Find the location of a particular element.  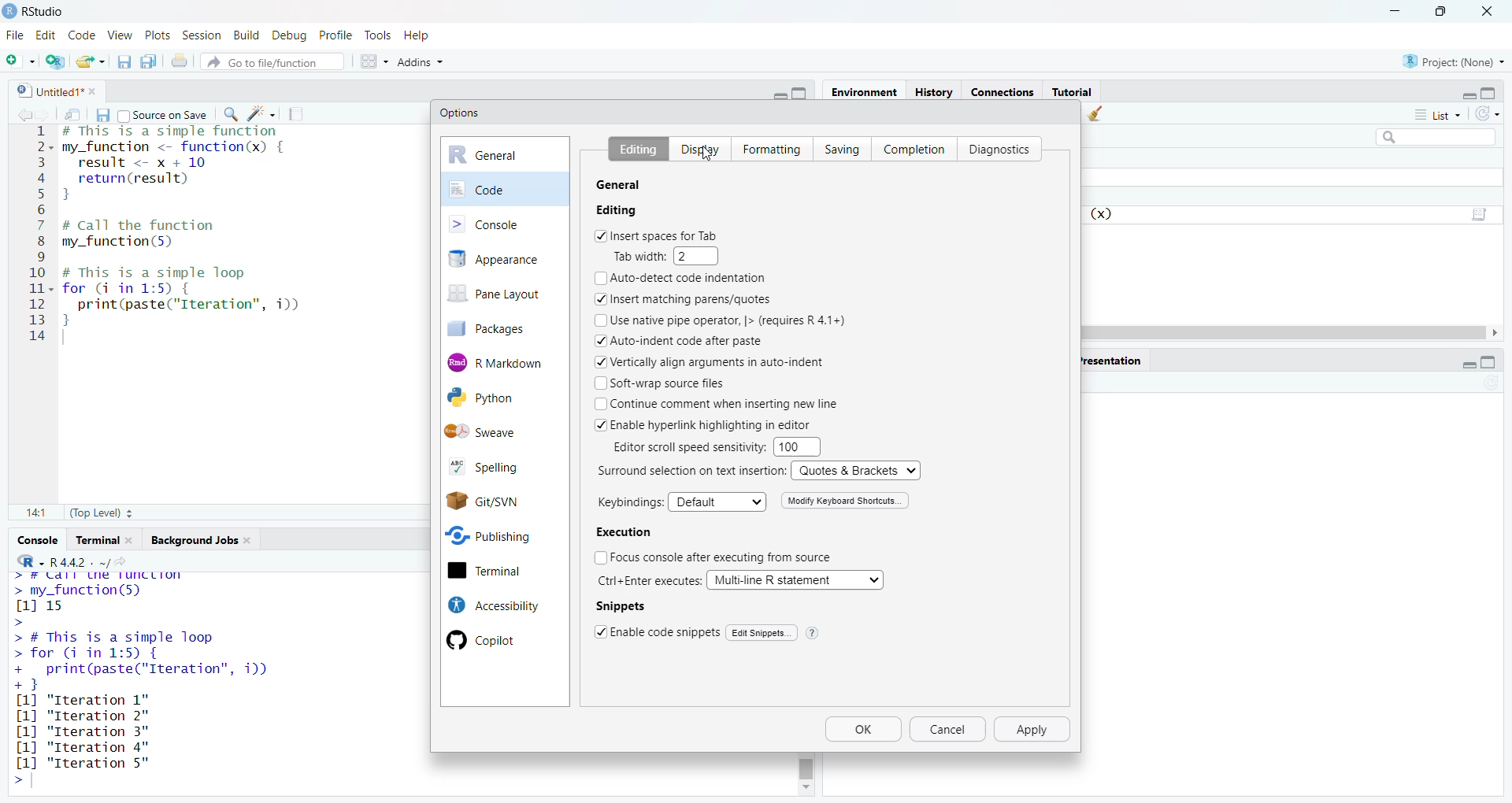

Formatting is located at coordinates (771, 150).